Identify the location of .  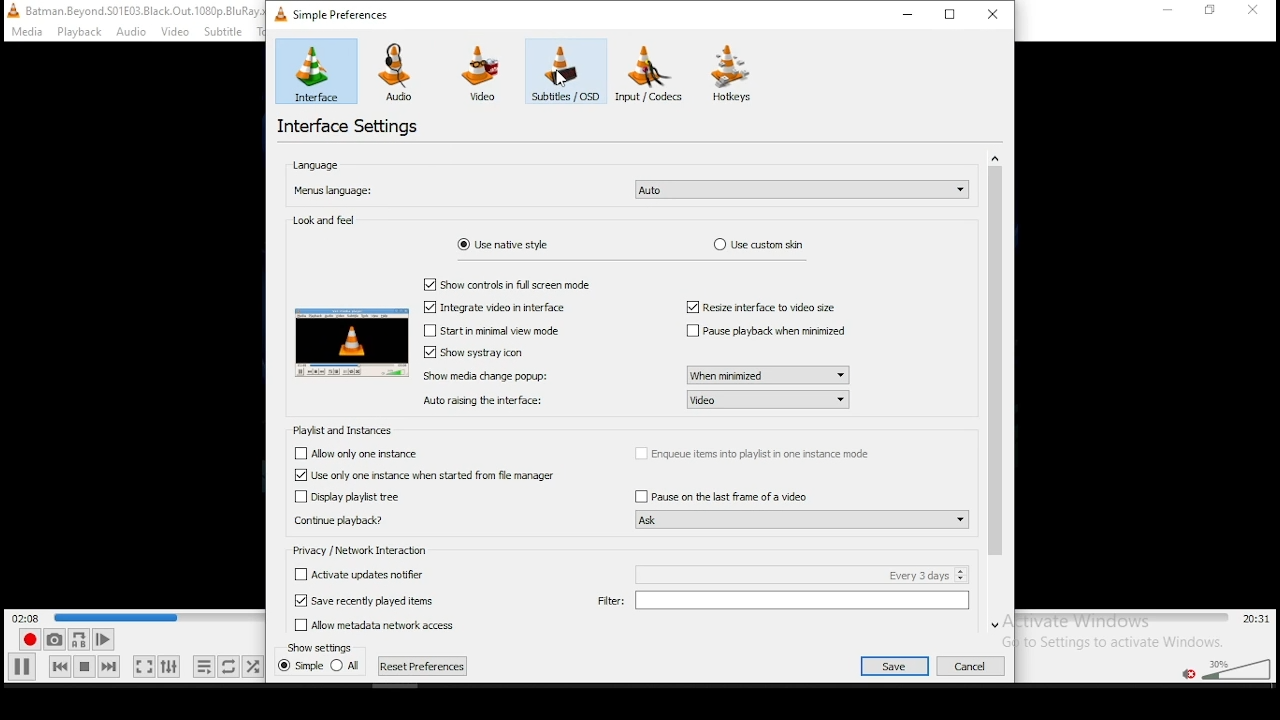
(78, 32).